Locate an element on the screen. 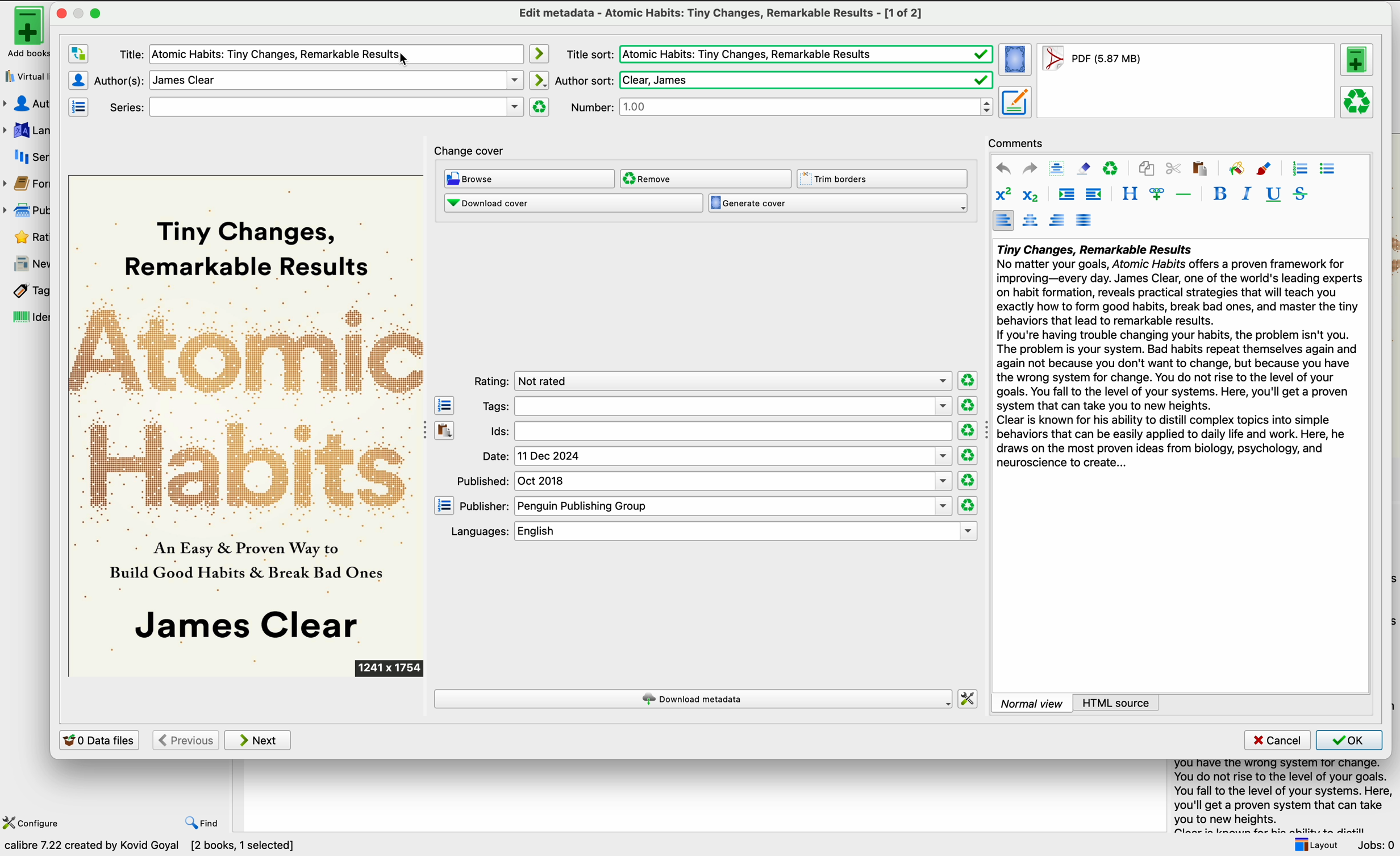  automatically mode icon is located at coordinates (541, 80).